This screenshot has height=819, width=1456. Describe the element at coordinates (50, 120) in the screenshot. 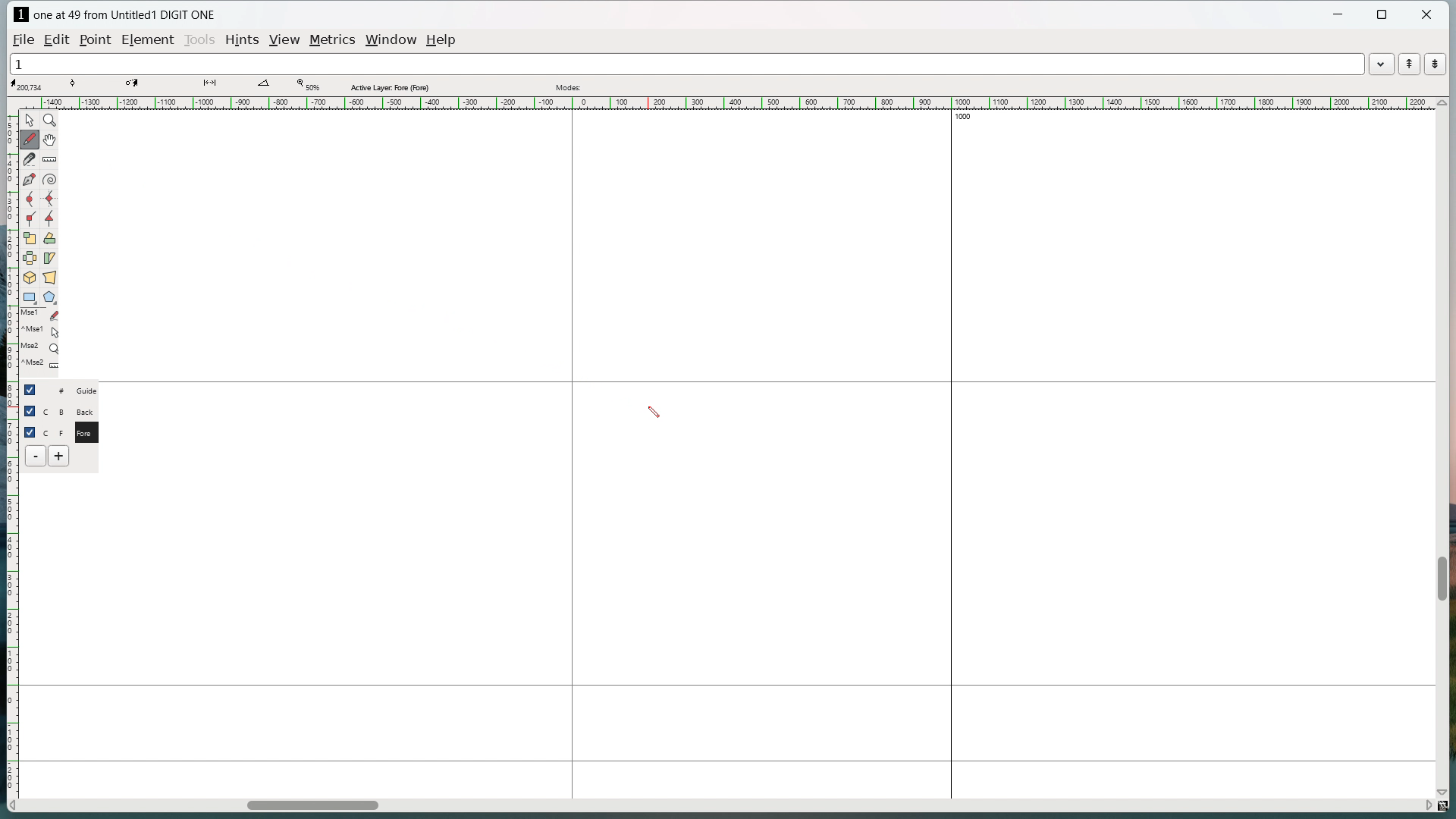

I see `magnify` at that location.